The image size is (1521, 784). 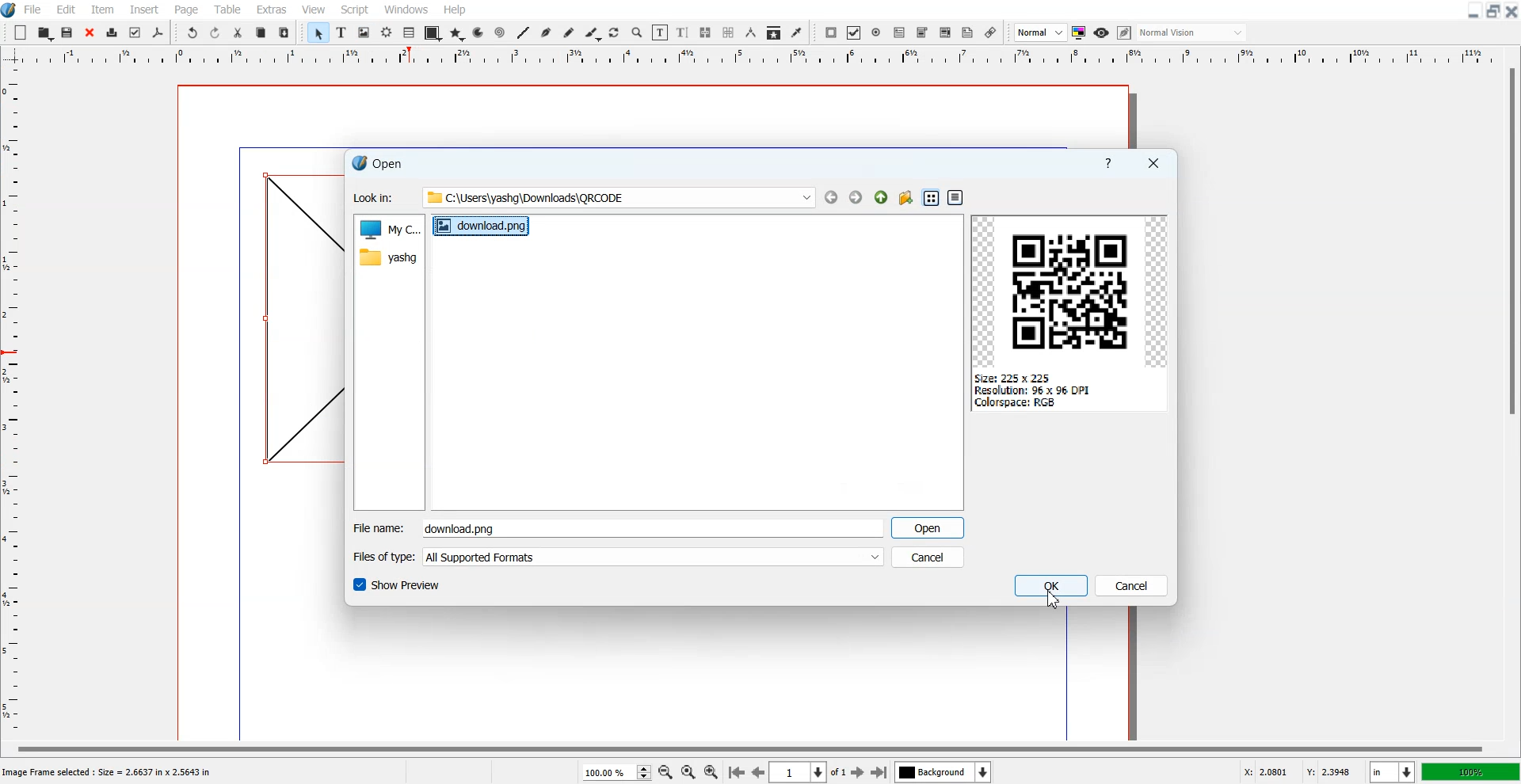 I want to click on File of type, so click(x=617, y=557).